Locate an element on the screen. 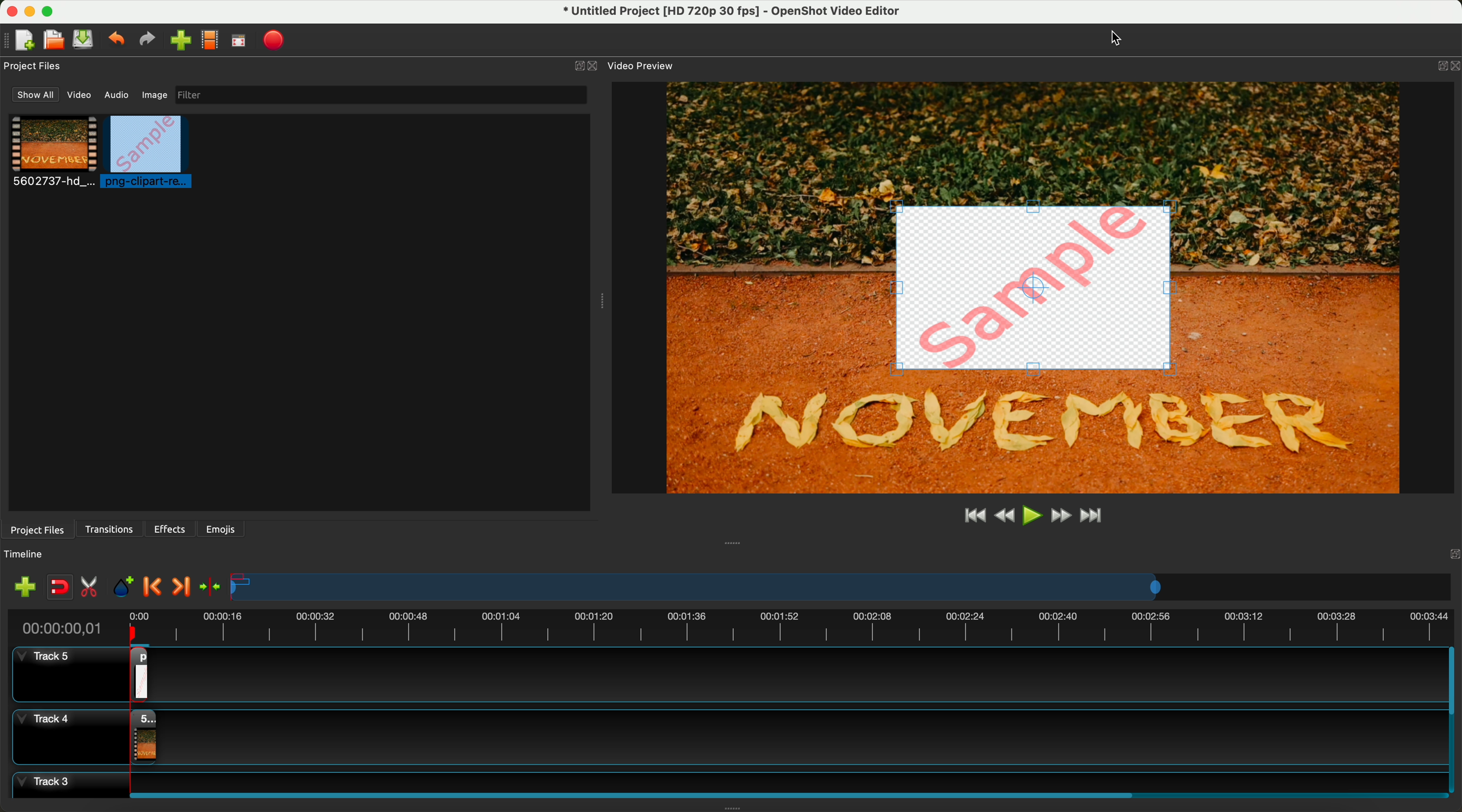  filter is located at coordinates (378, 95).